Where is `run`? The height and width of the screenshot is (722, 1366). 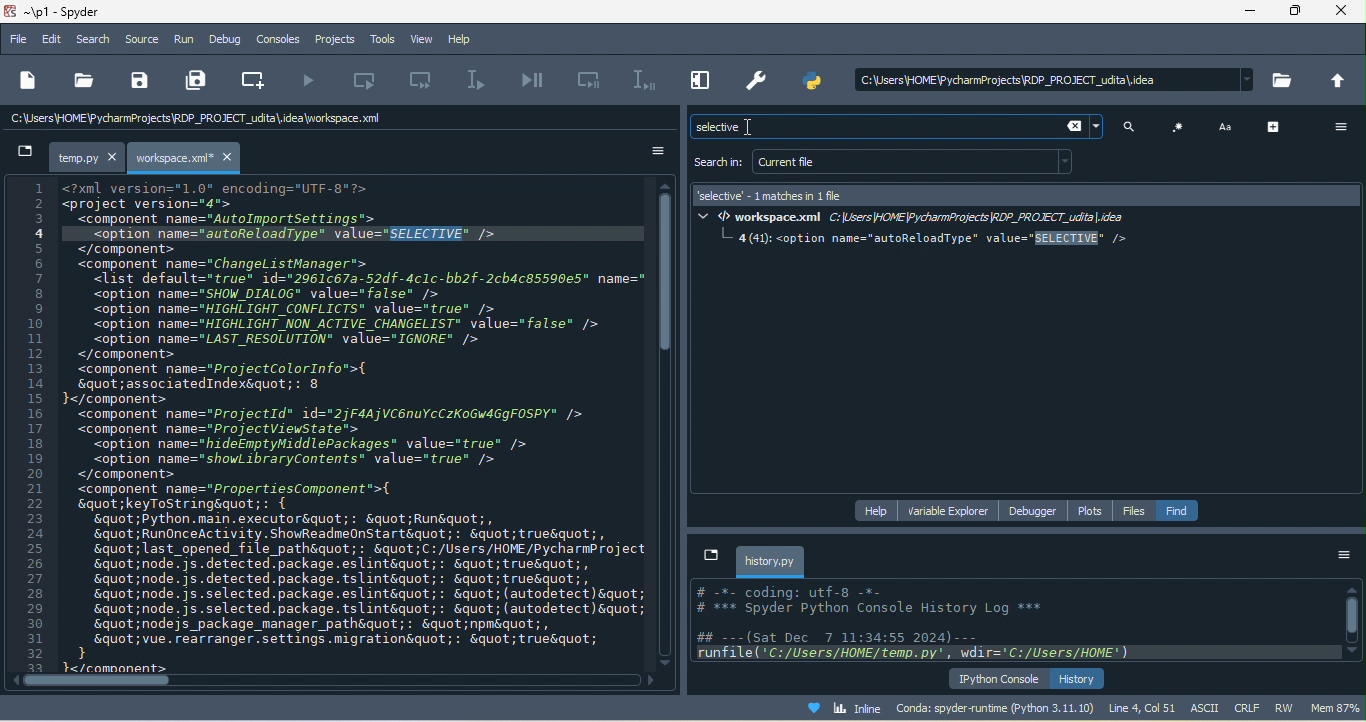
run is located at coordinates (185, 42).